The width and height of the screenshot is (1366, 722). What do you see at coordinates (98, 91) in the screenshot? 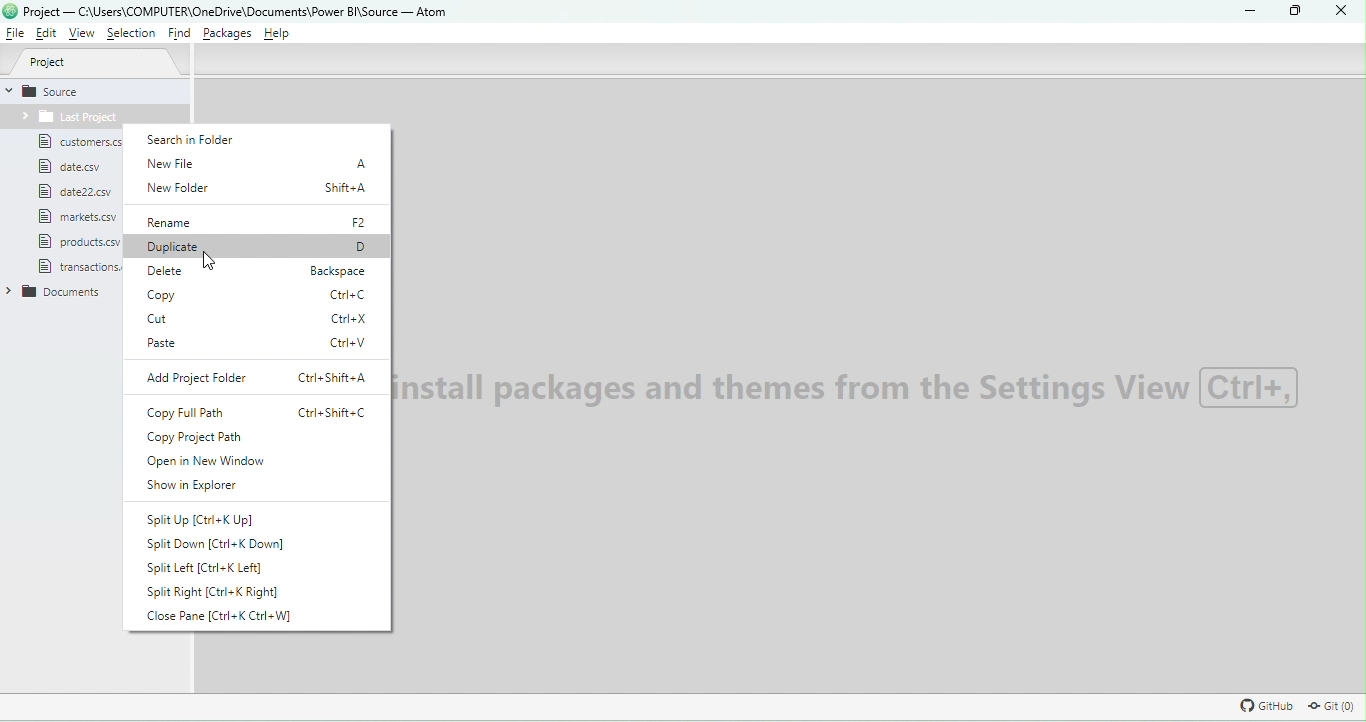
I see `Source` at bounding box center [98, 91].